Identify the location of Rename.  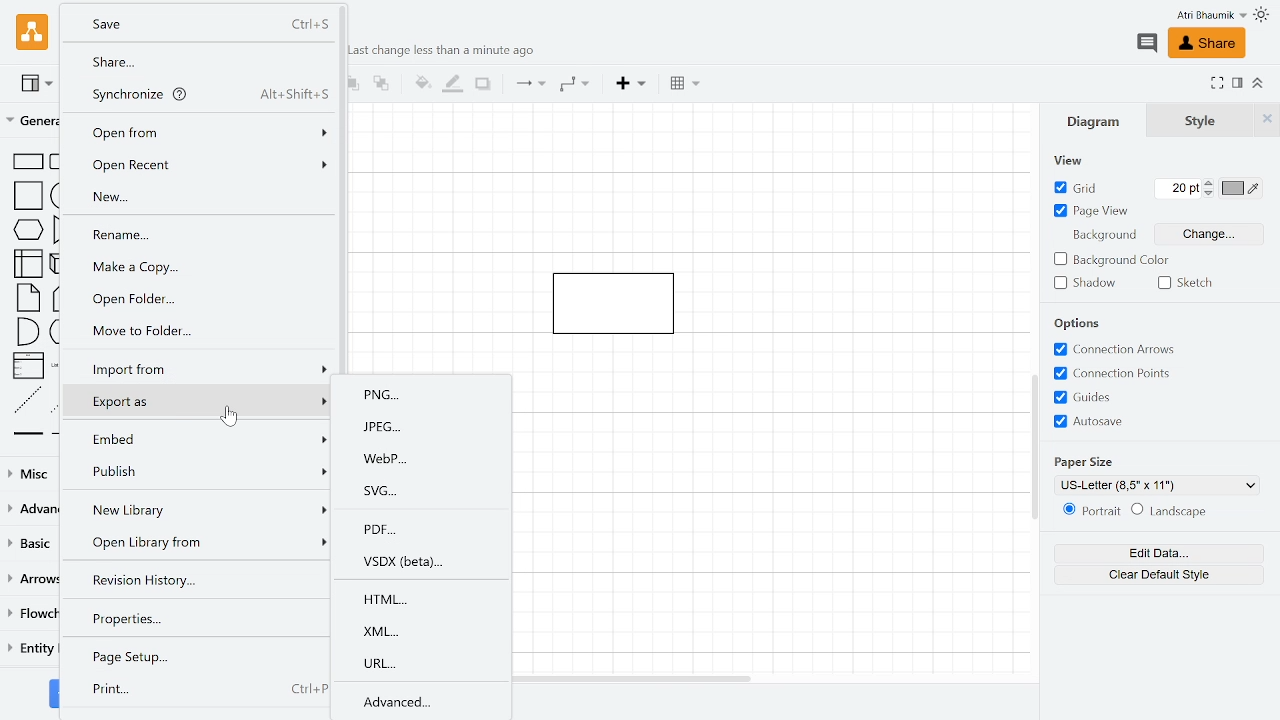
(202, 233).